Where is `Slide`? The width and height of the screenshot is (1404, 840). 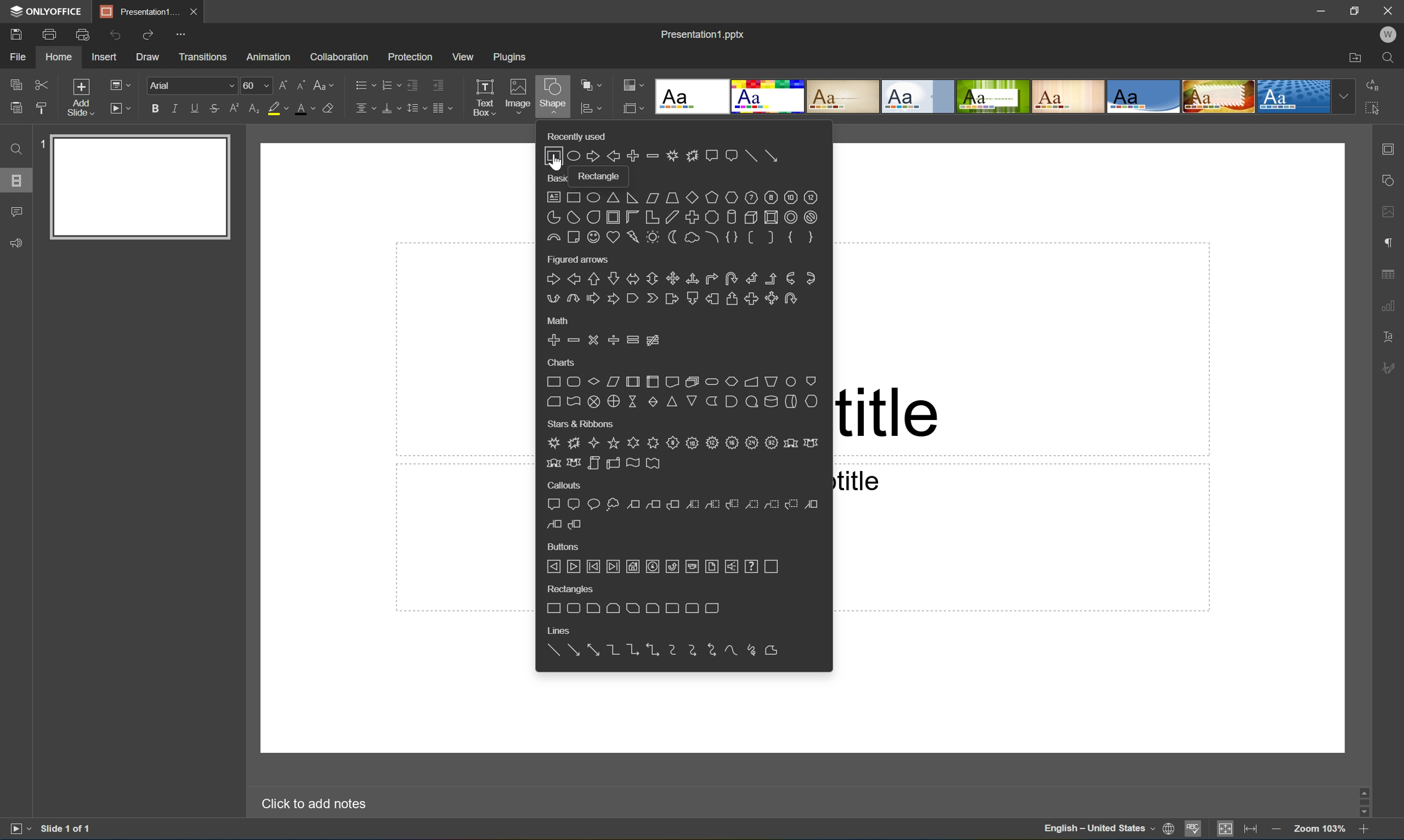 Slide is located at coordinates (142, 186).